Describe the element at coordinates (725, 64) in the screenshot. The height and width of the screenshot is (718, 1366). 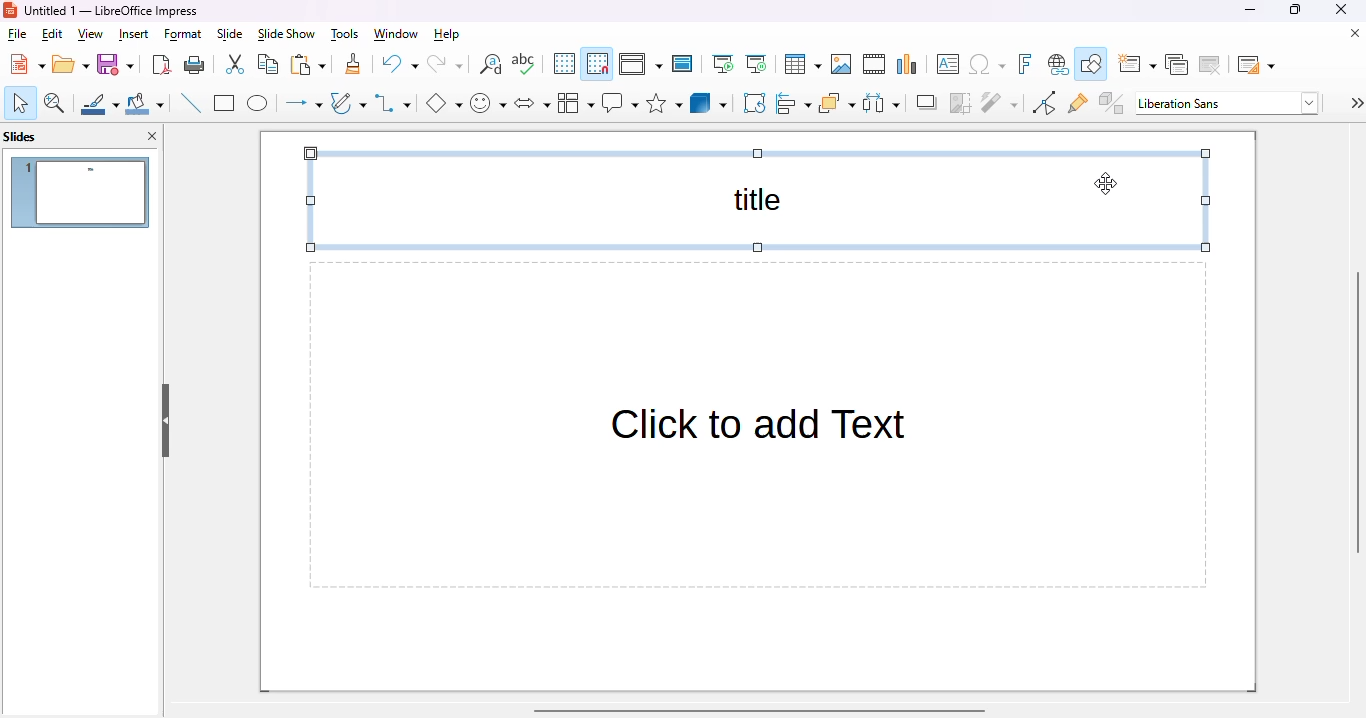
I see `start from first slide` at that location.